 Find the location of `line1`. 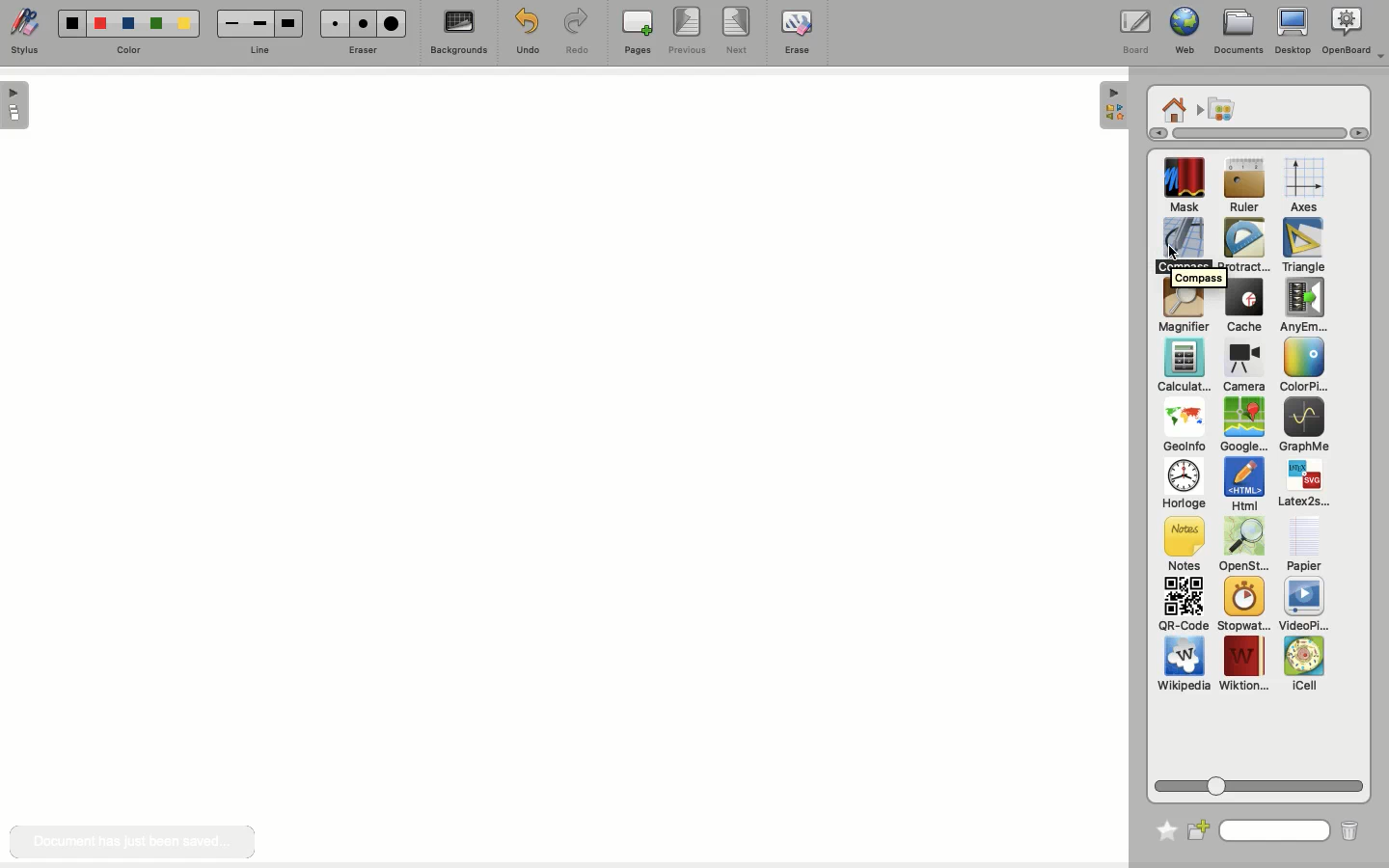

line1 is located at coordinates (231, 22).